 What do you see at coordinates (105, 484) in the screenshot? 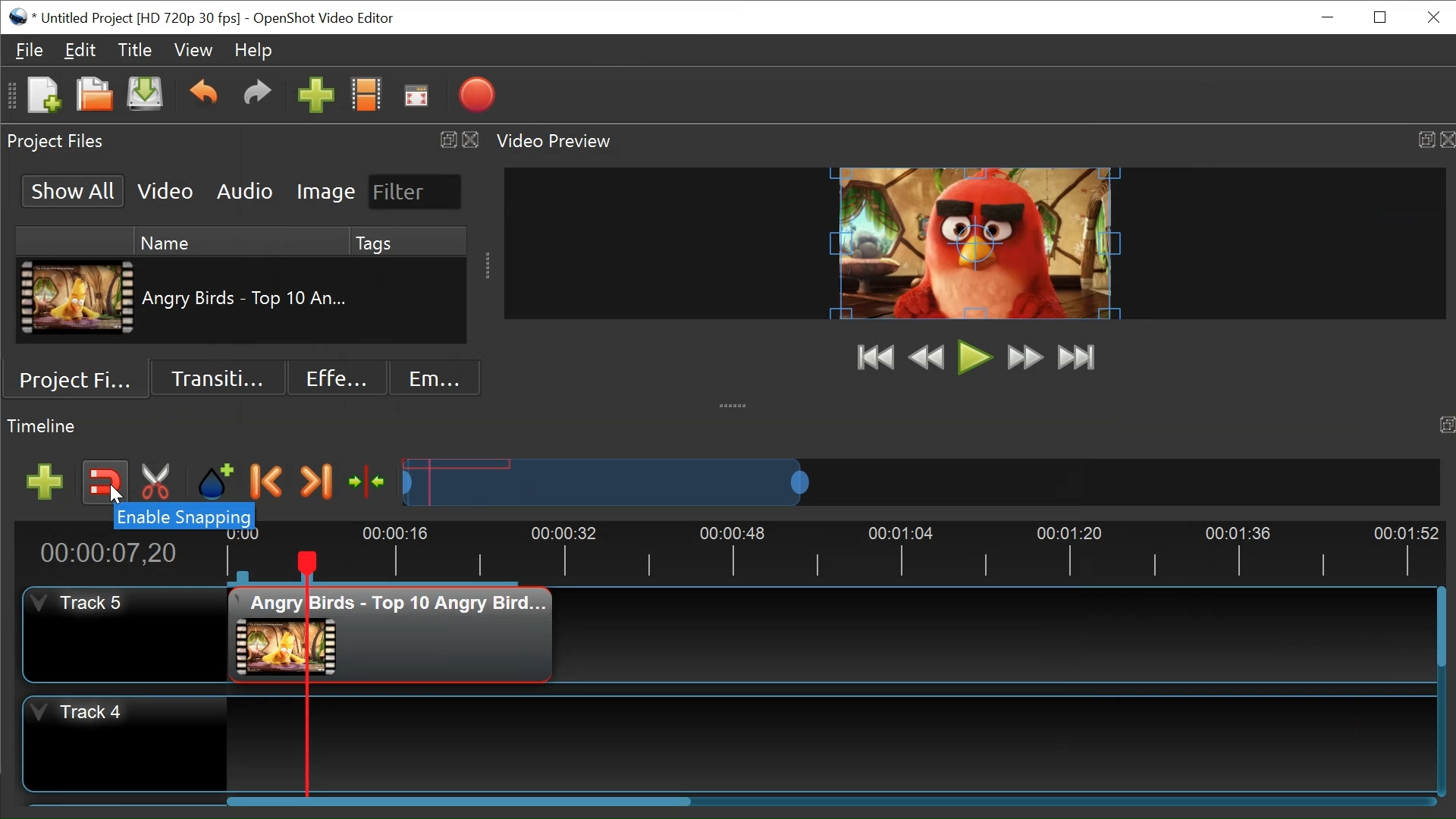
I see `Snap` at bounding box center [105, 484].